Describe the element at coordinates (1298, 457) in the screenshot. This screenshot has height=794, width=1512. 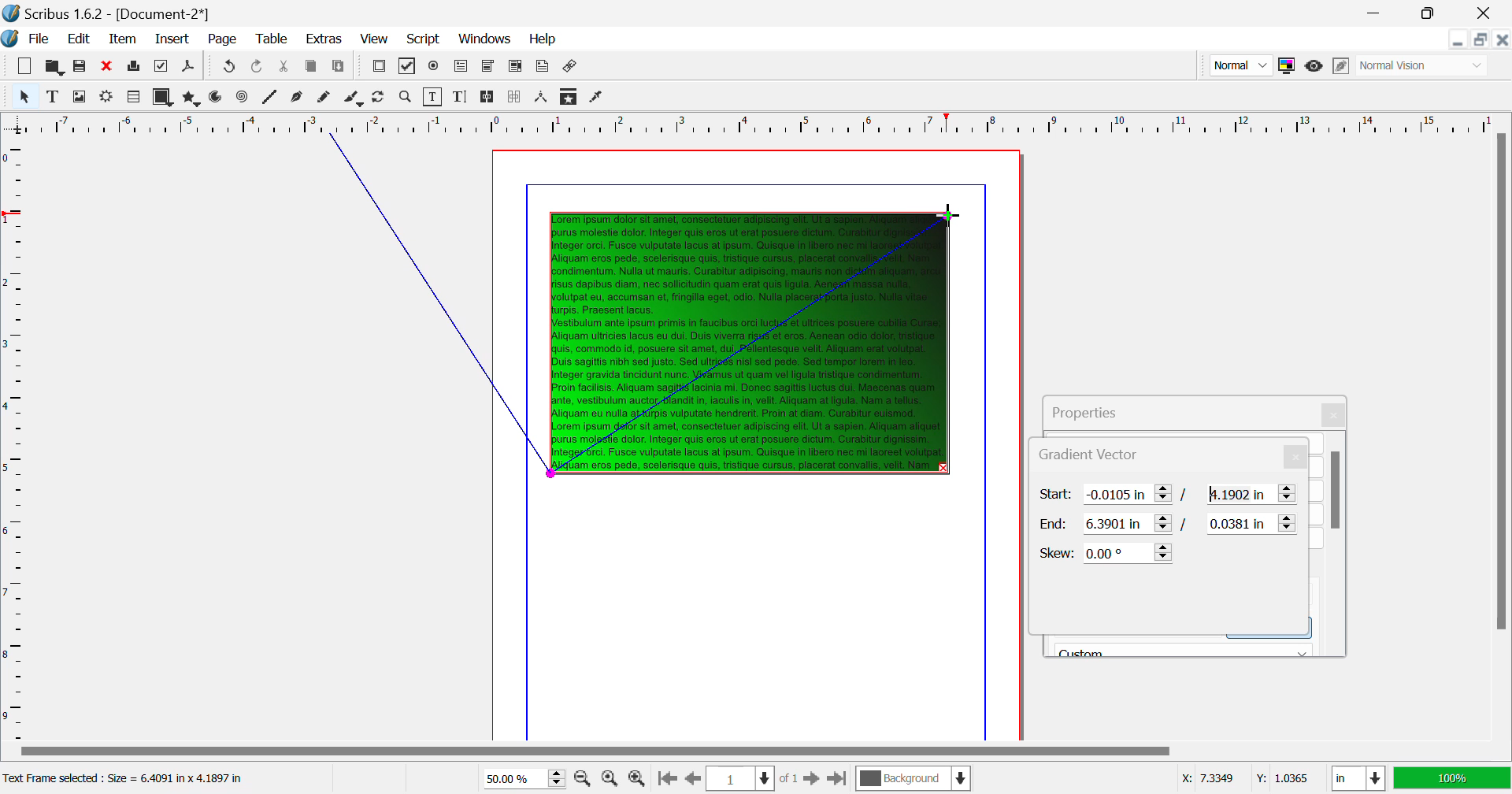
I see `Close` at that location.